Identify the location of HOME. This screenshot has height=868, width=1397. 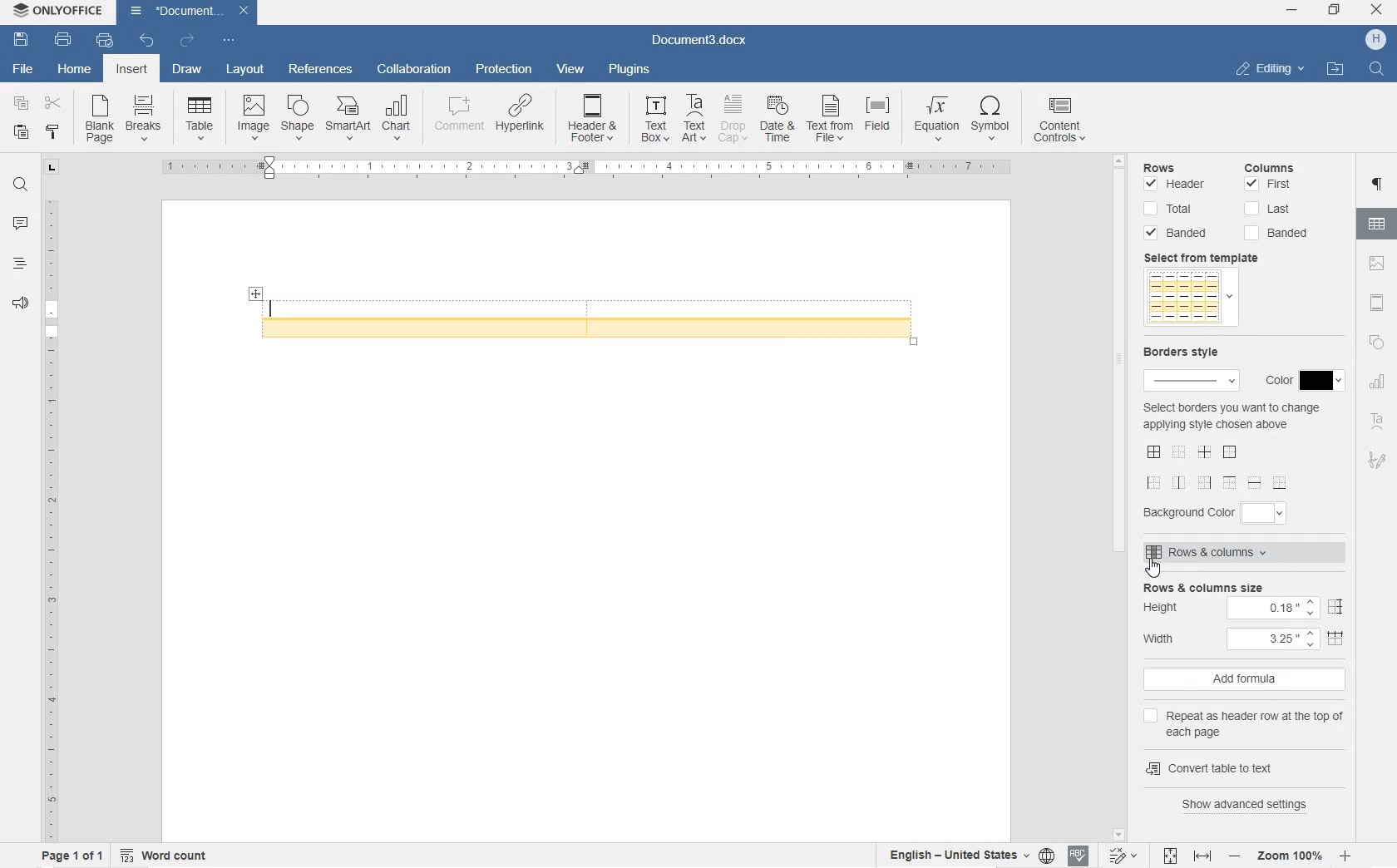
(76, 67).